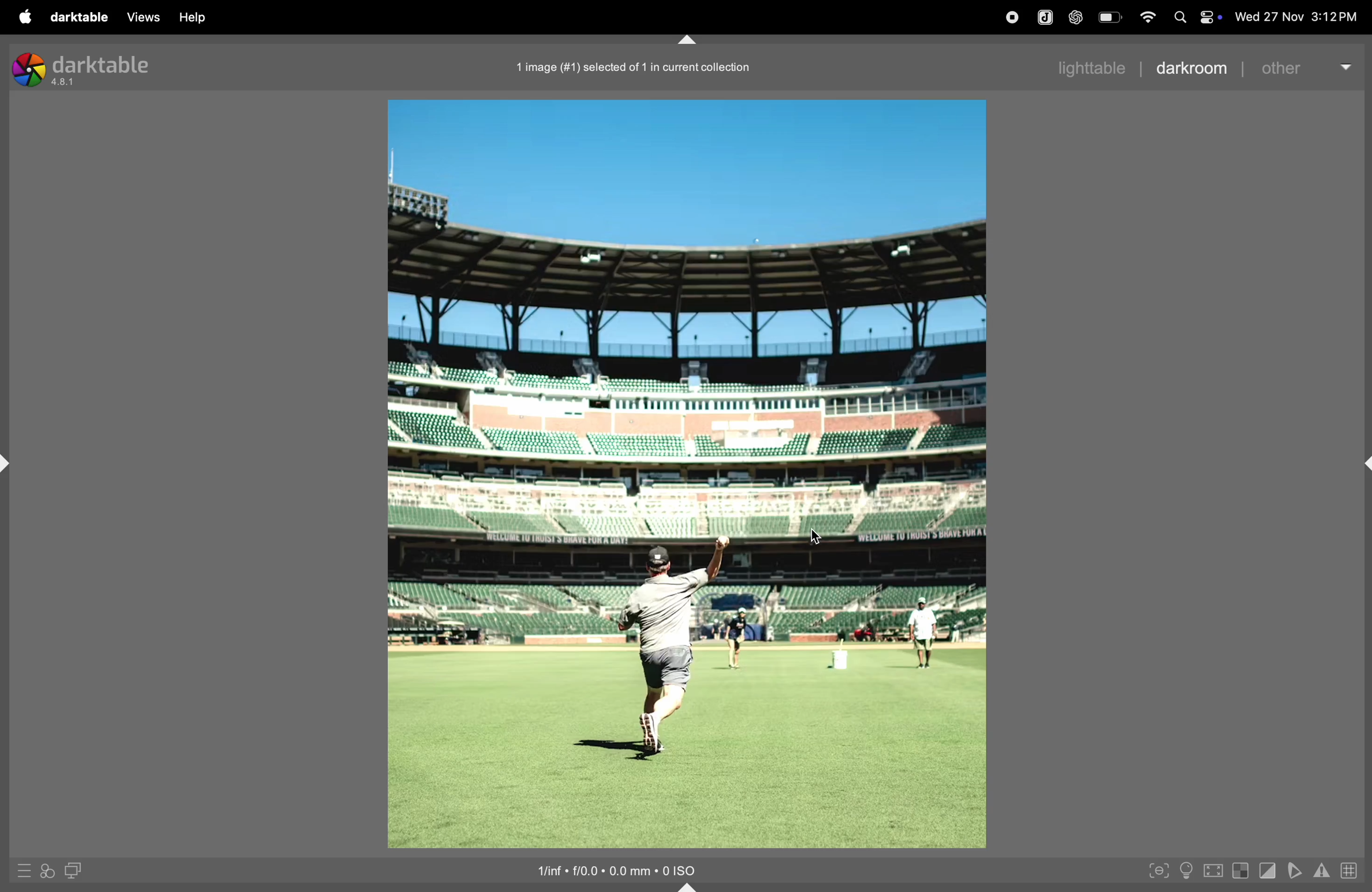 The width and height of the screenshot is (1372, 892). I want to click on display second room, so click(76, 869).